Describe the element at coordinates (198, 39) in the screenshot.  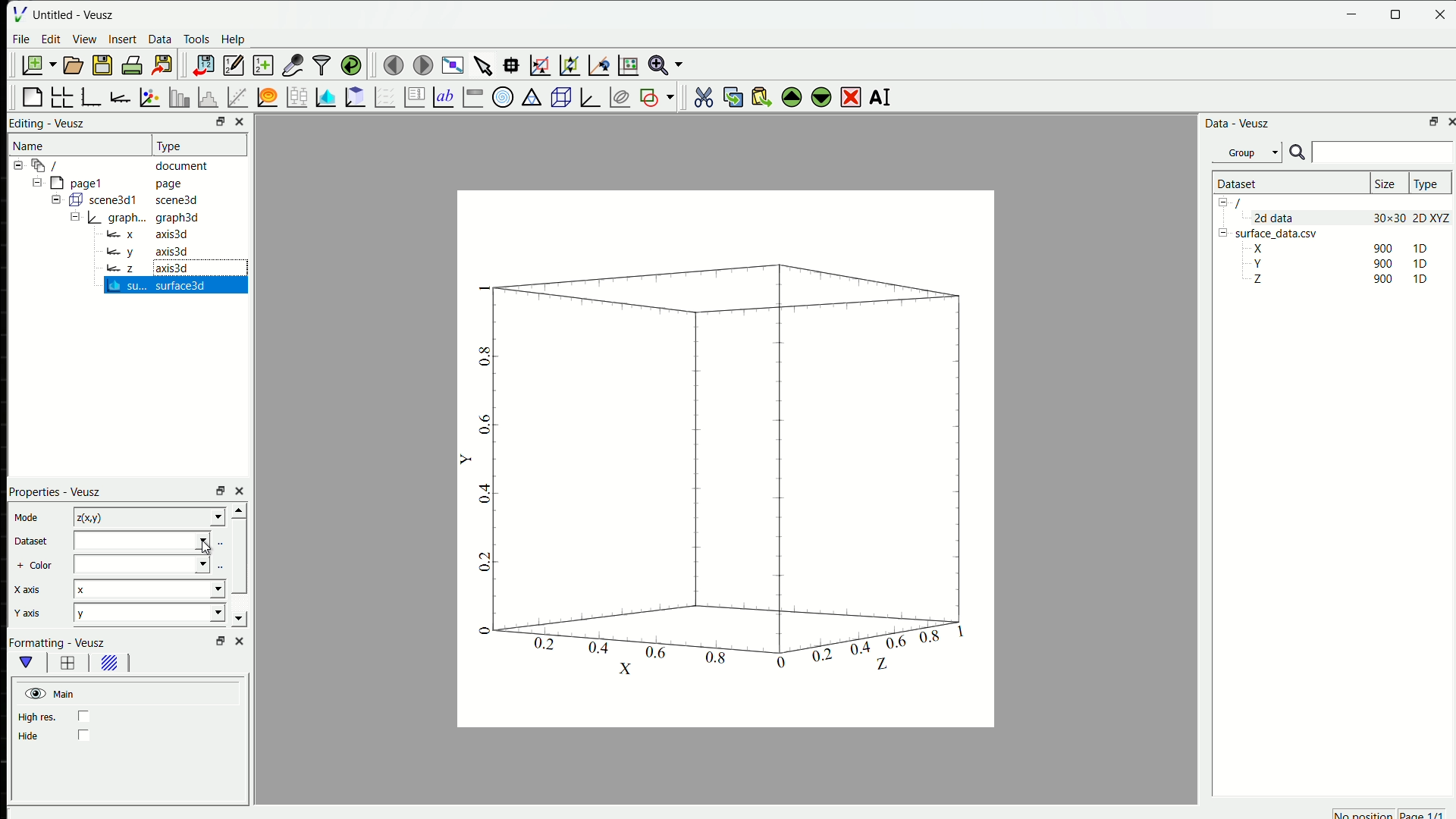
I see `Tools` at that location.